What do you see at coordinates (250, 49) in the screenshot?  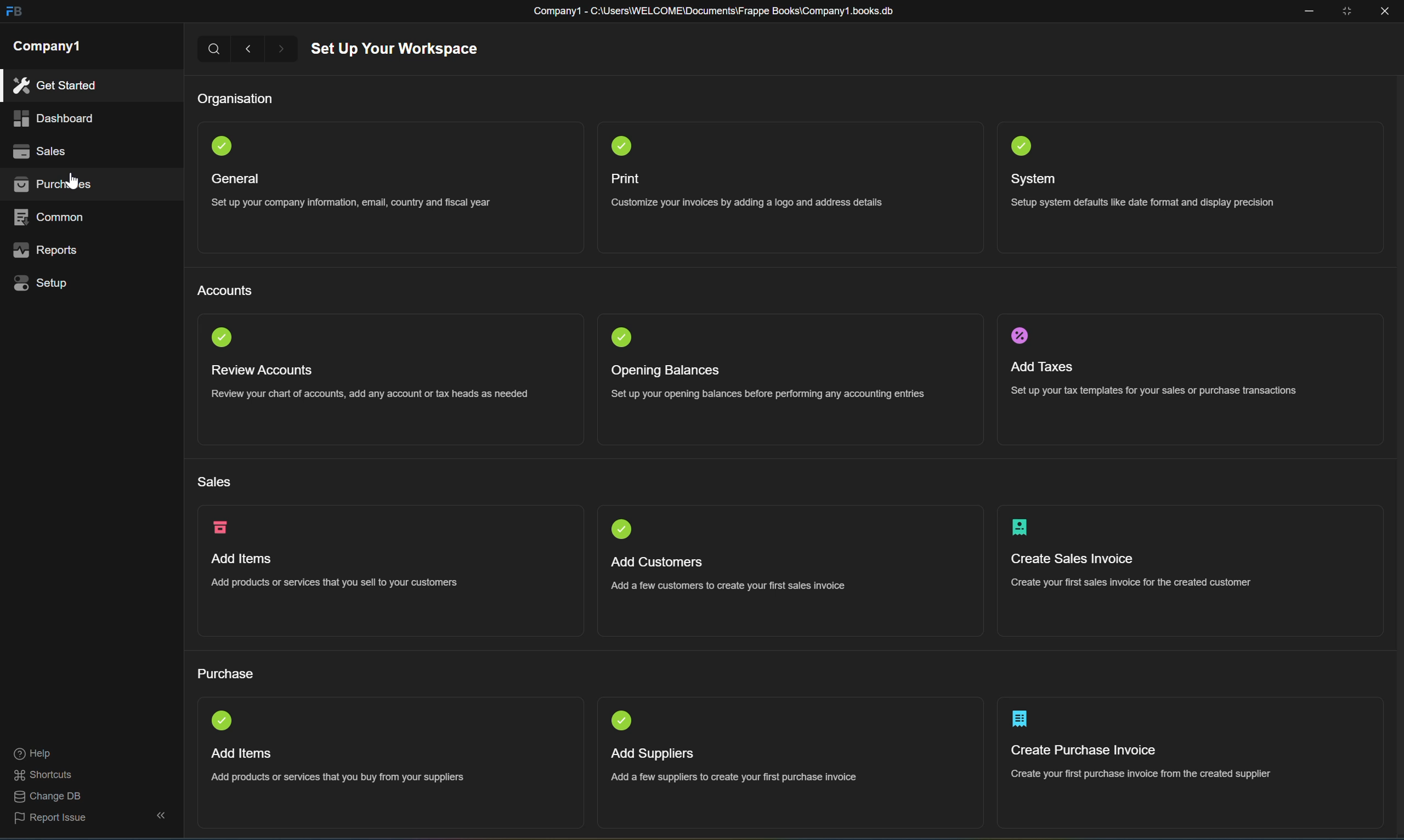 I see `previous` at bounding box center [250, 49].